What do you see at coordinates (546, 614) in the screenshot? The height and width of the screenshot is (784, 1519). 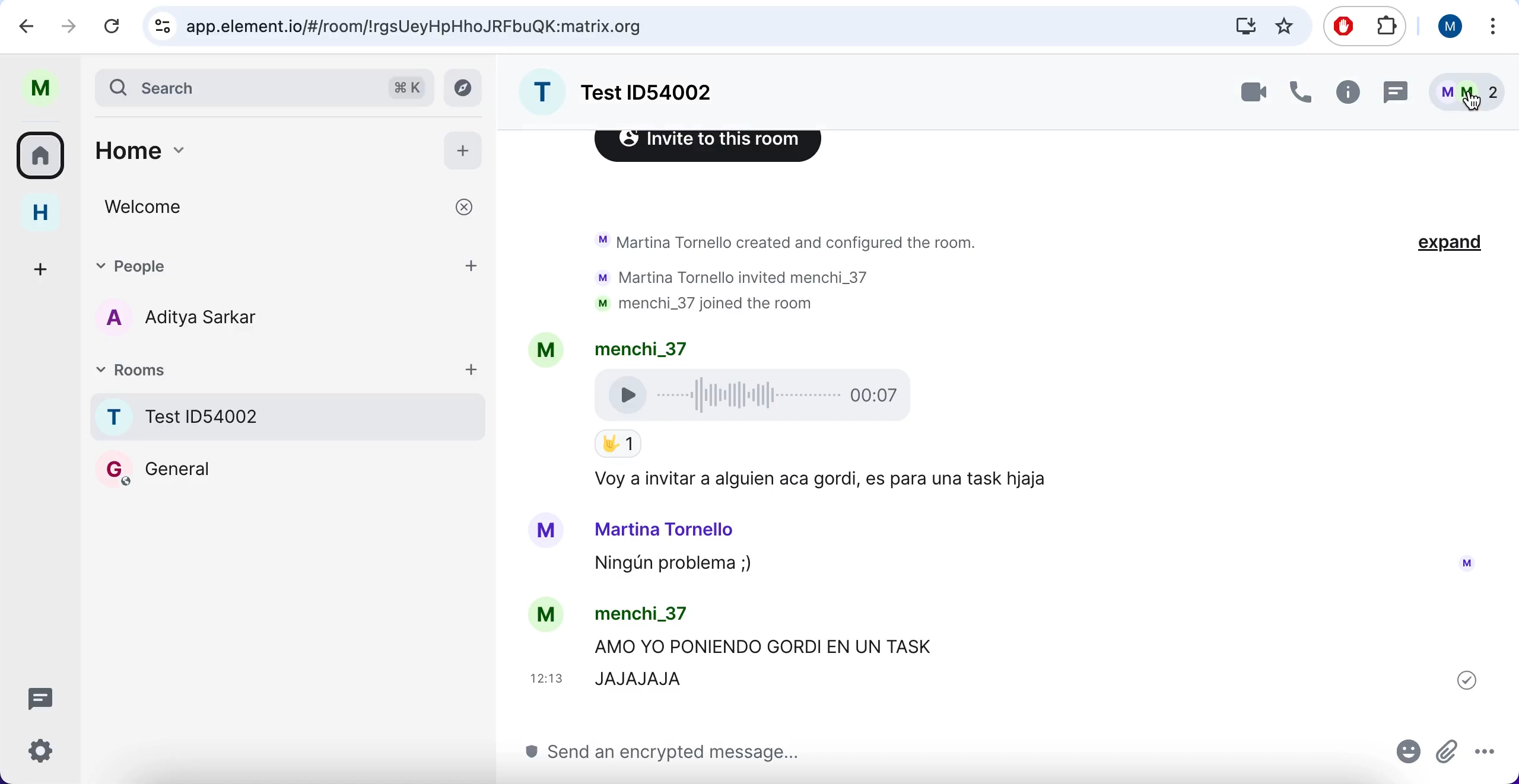 I see `Avatar` at bounding box center [546, 614].